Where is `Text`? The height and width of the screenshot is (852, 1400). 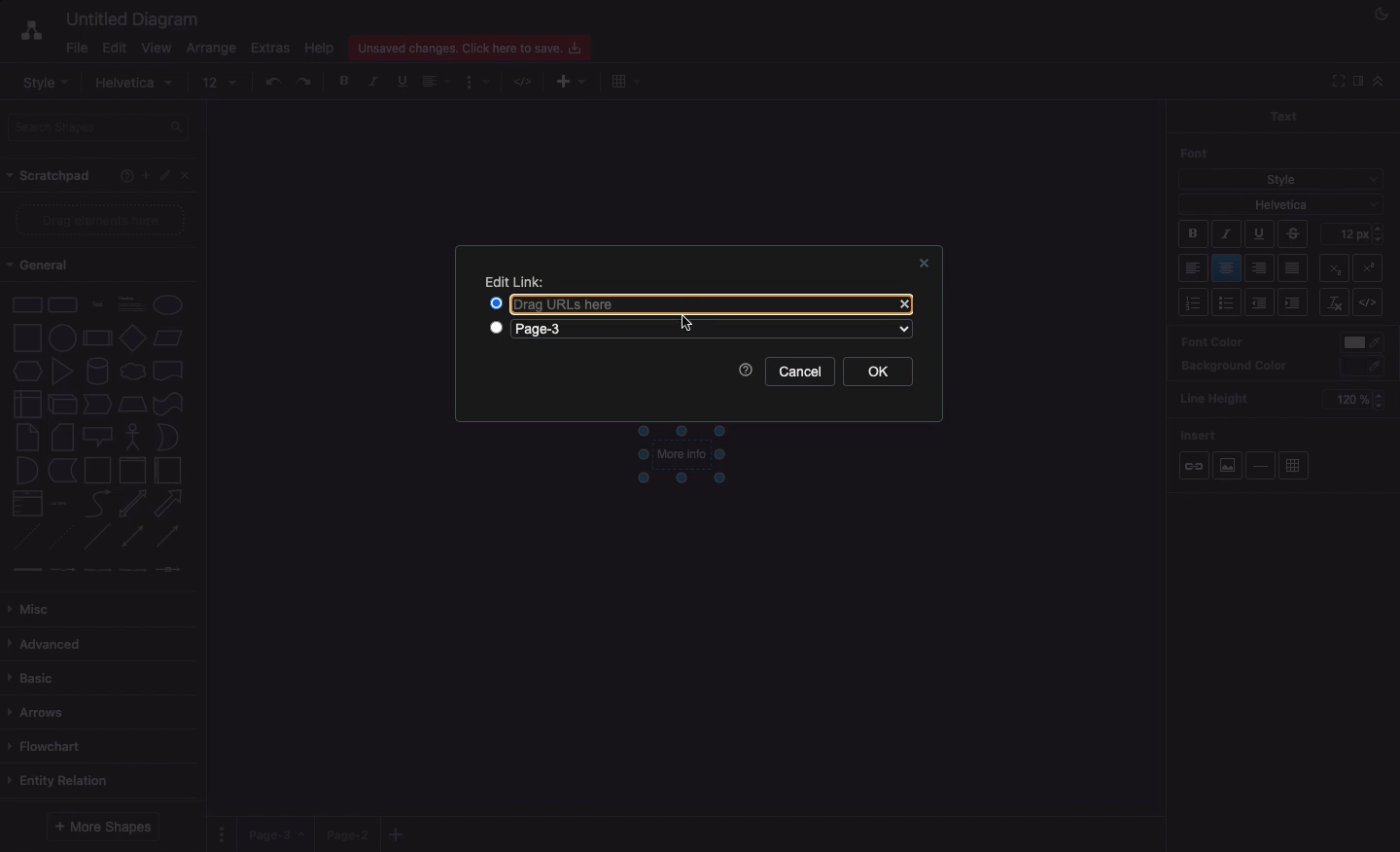
Text is located at coordinates (1282, 115).